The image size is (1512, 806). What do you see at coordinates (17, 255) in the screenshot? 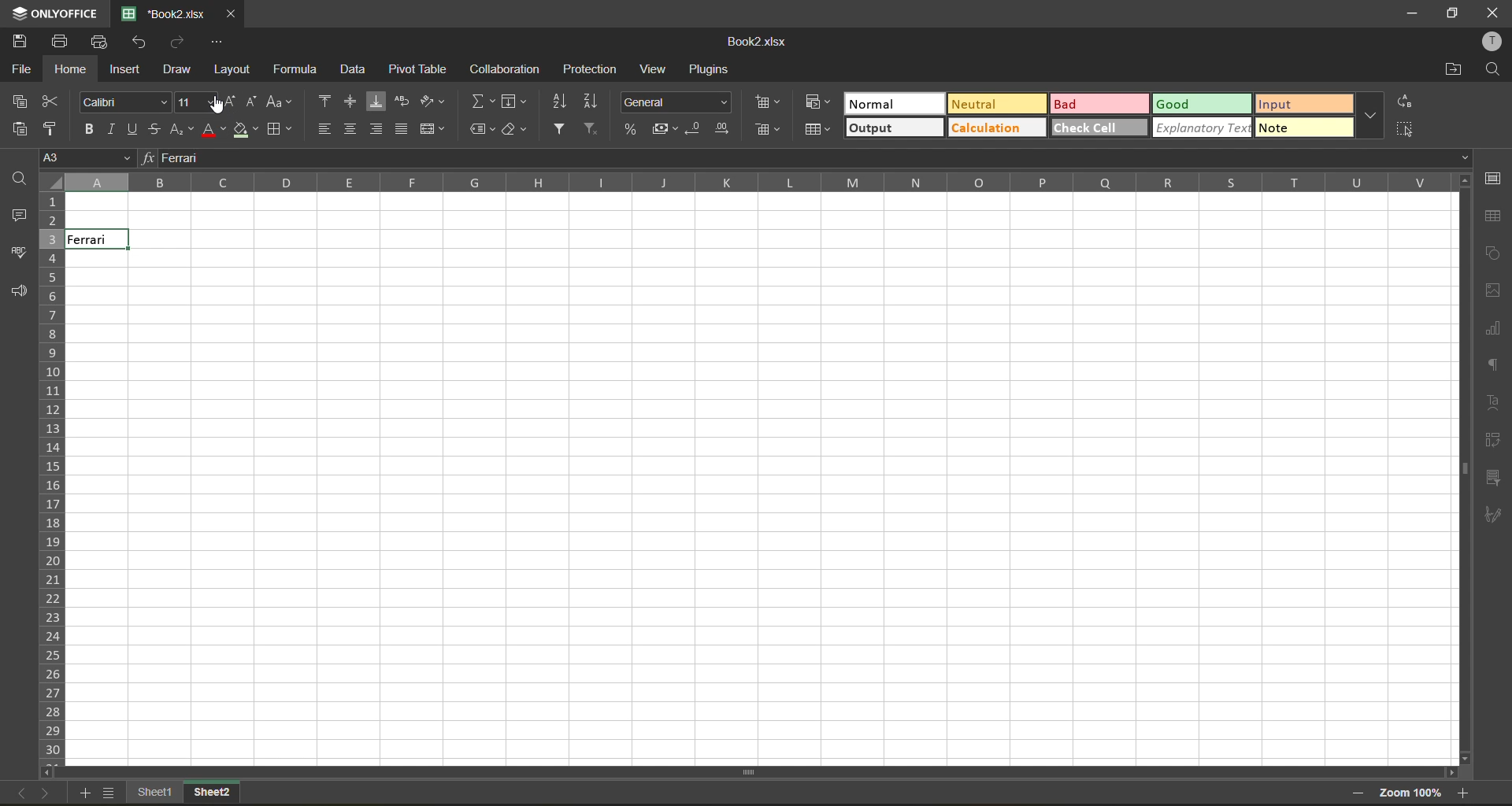
I see `spellcheck` at bounding box center [17, 255].